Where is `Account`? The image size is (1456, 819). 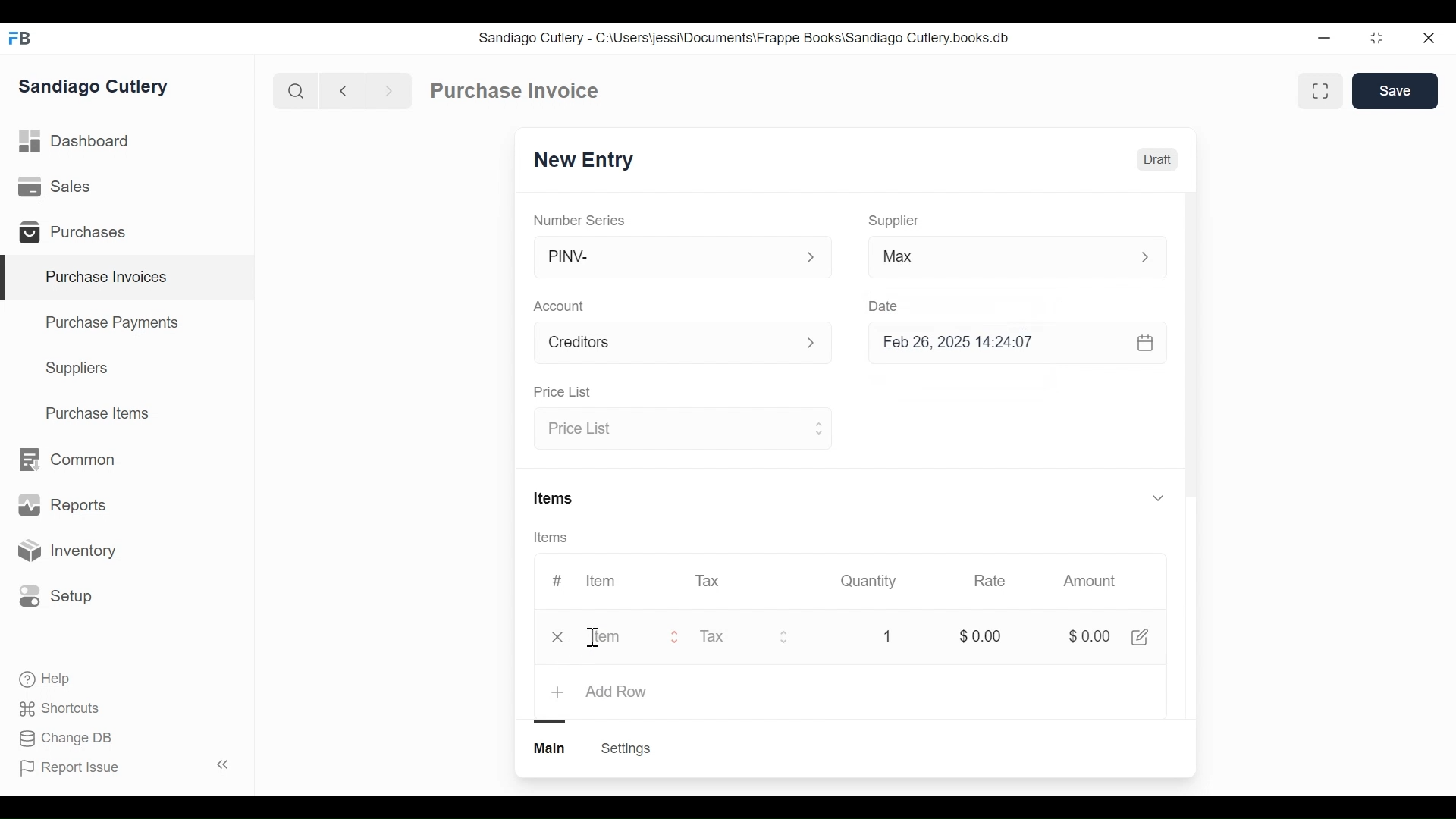 Account is located at coordinates (562, 308).